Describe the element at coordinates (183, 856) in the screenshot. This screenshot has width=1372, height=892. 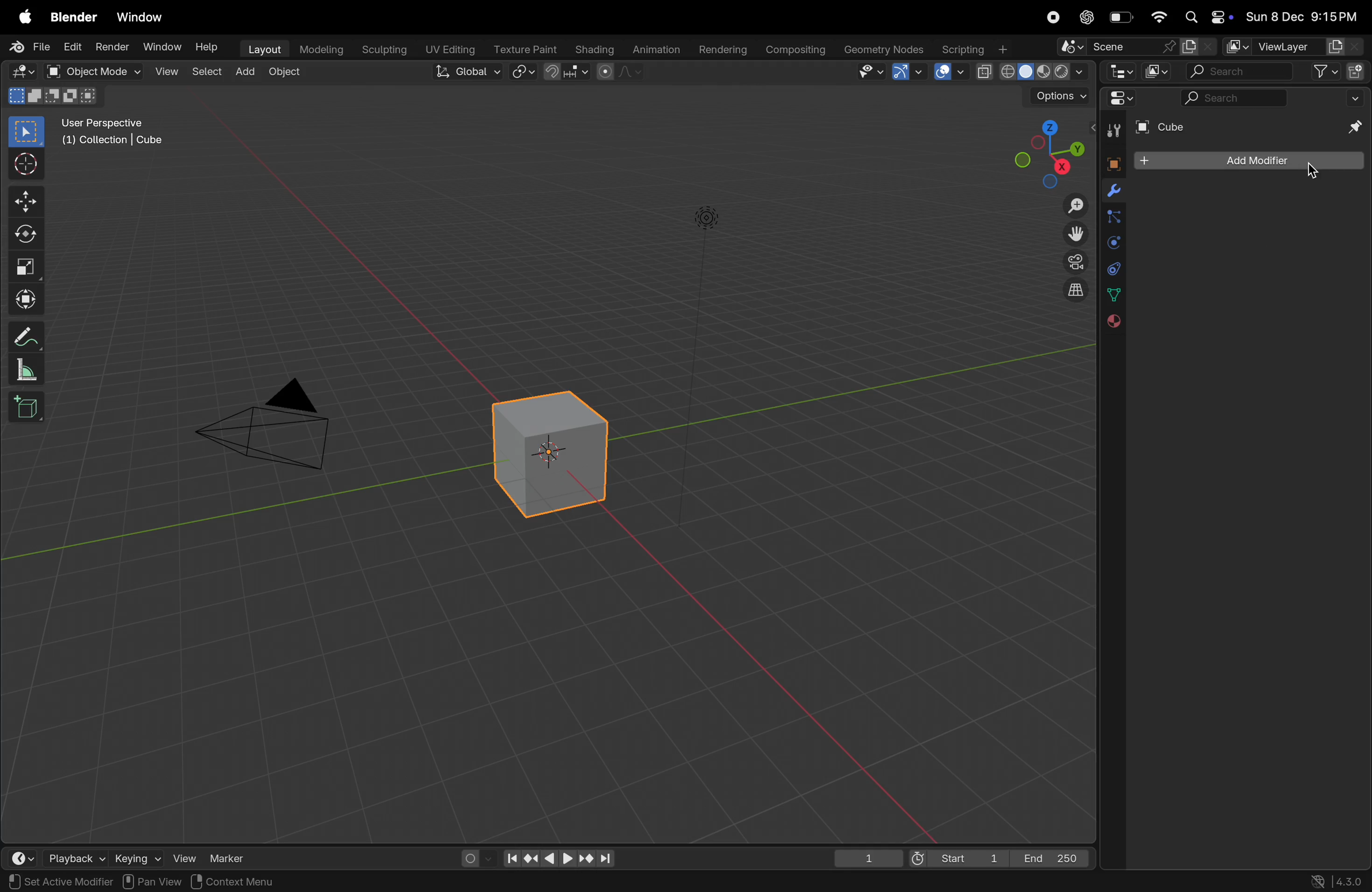
I see `view` at that location.